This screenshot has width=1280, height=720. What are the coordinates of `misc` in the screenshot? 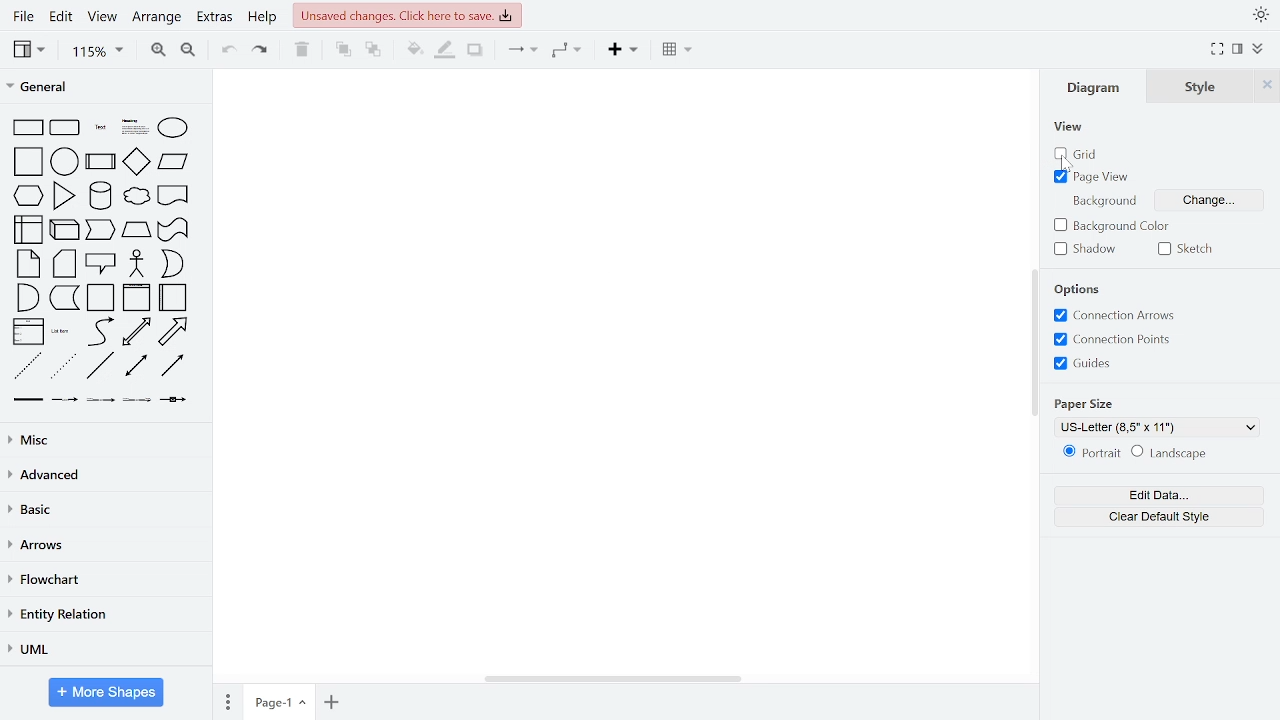 It's located at (102, 441).